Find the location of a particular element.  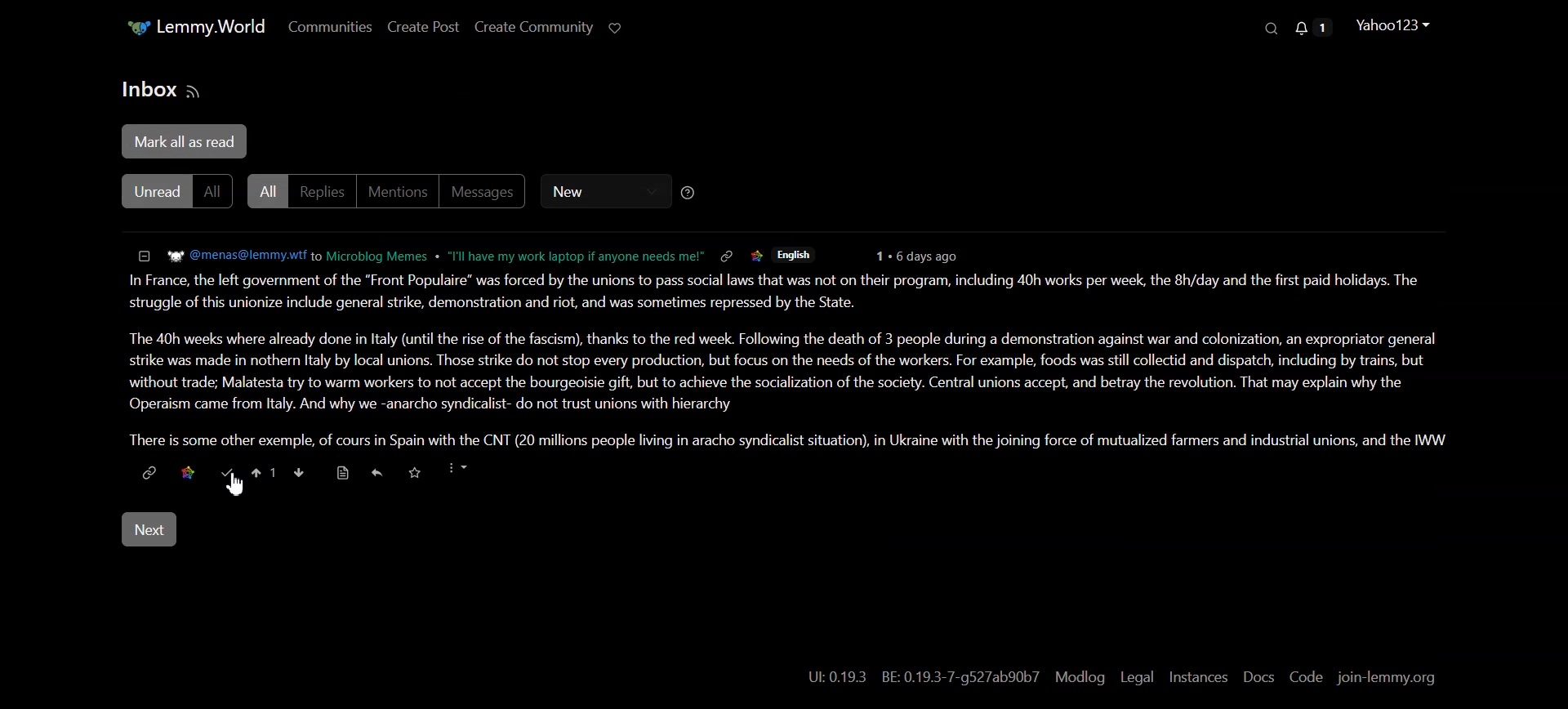

Home Page is located at coordinates (184, 26).